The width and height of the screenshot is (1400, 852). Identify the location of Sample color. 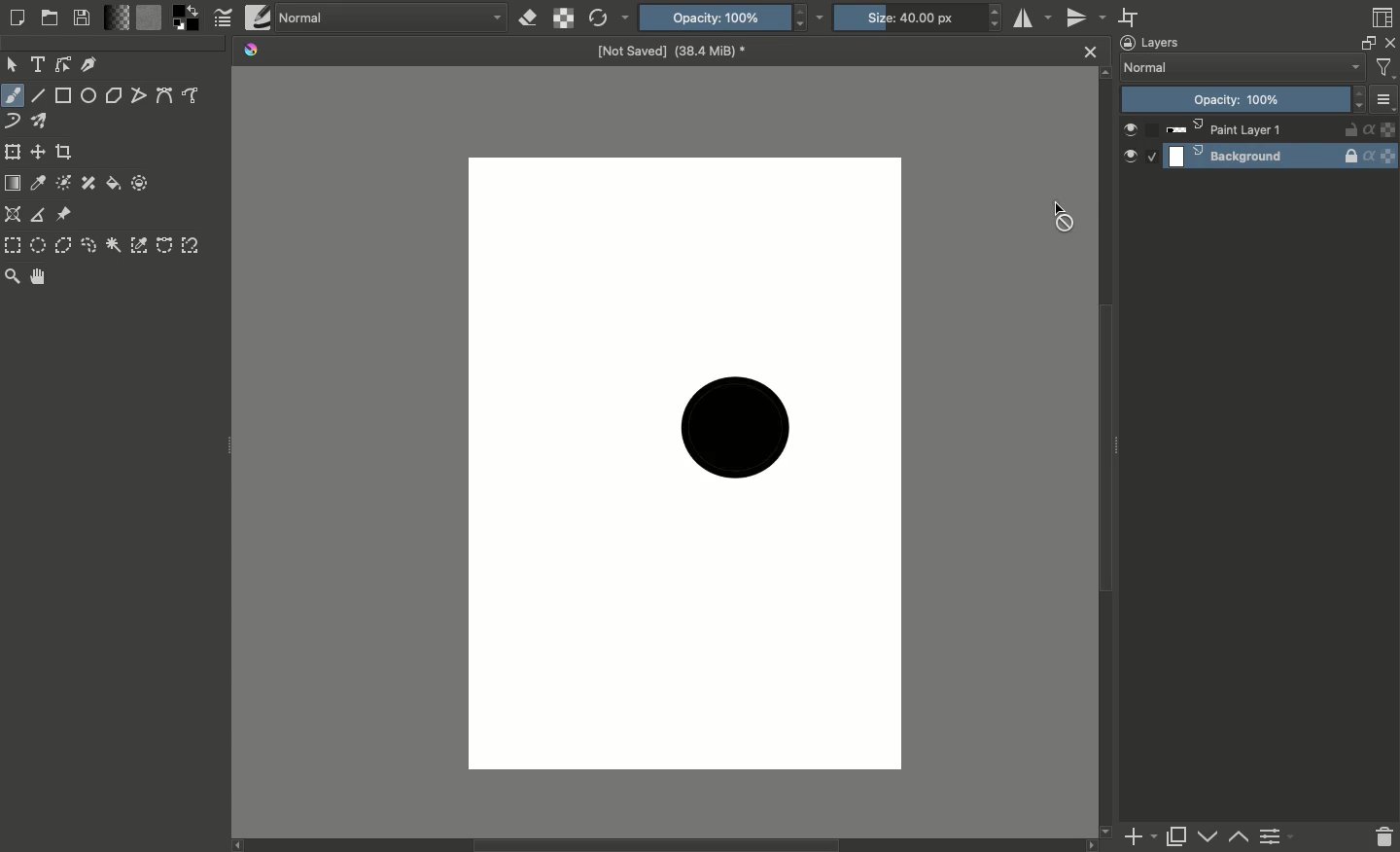
(40, 186).